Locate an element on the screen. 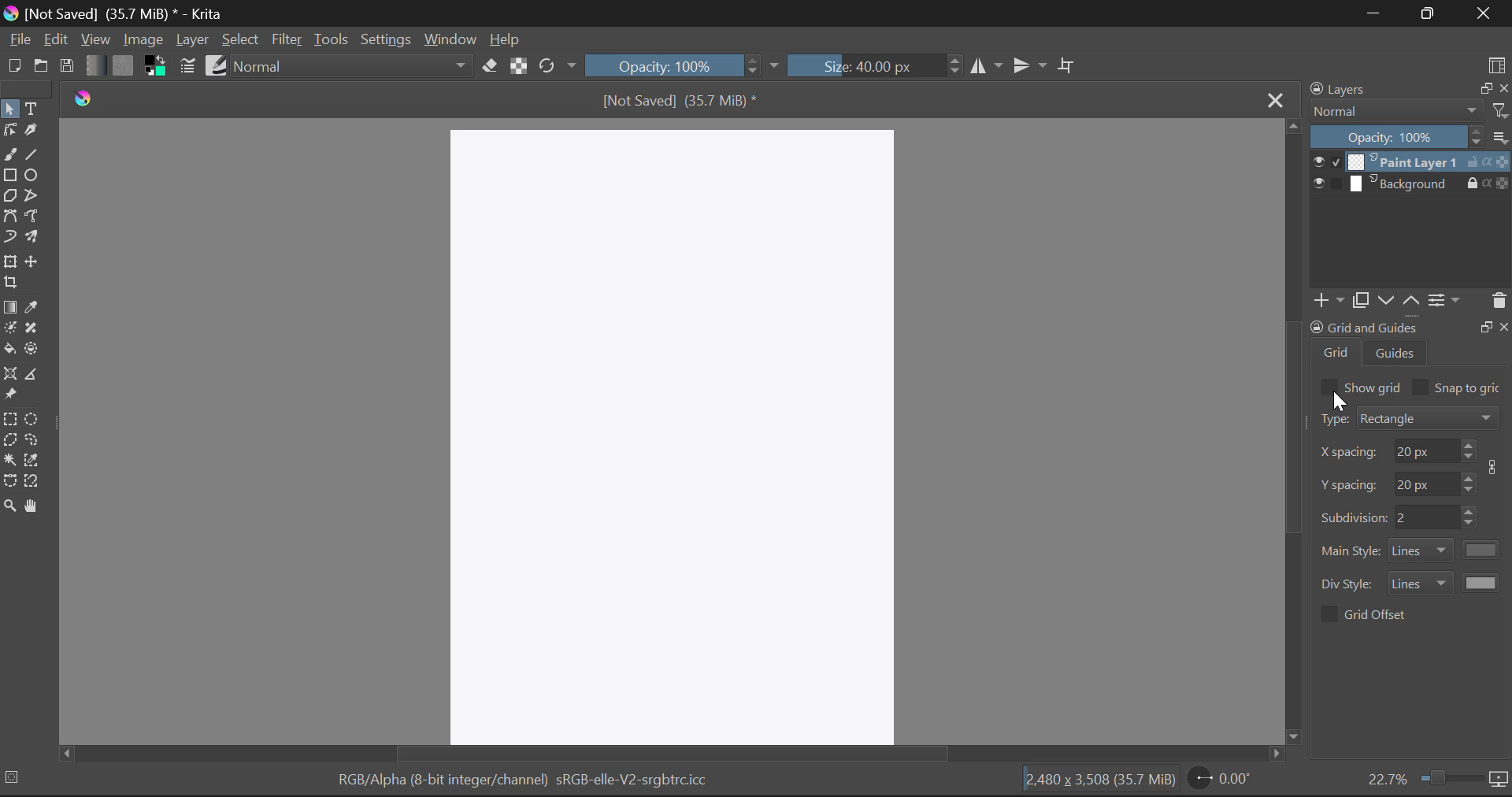 This screenshot has width=1512, height=797. Increase or decrease is located at coordinates (1471, 517).